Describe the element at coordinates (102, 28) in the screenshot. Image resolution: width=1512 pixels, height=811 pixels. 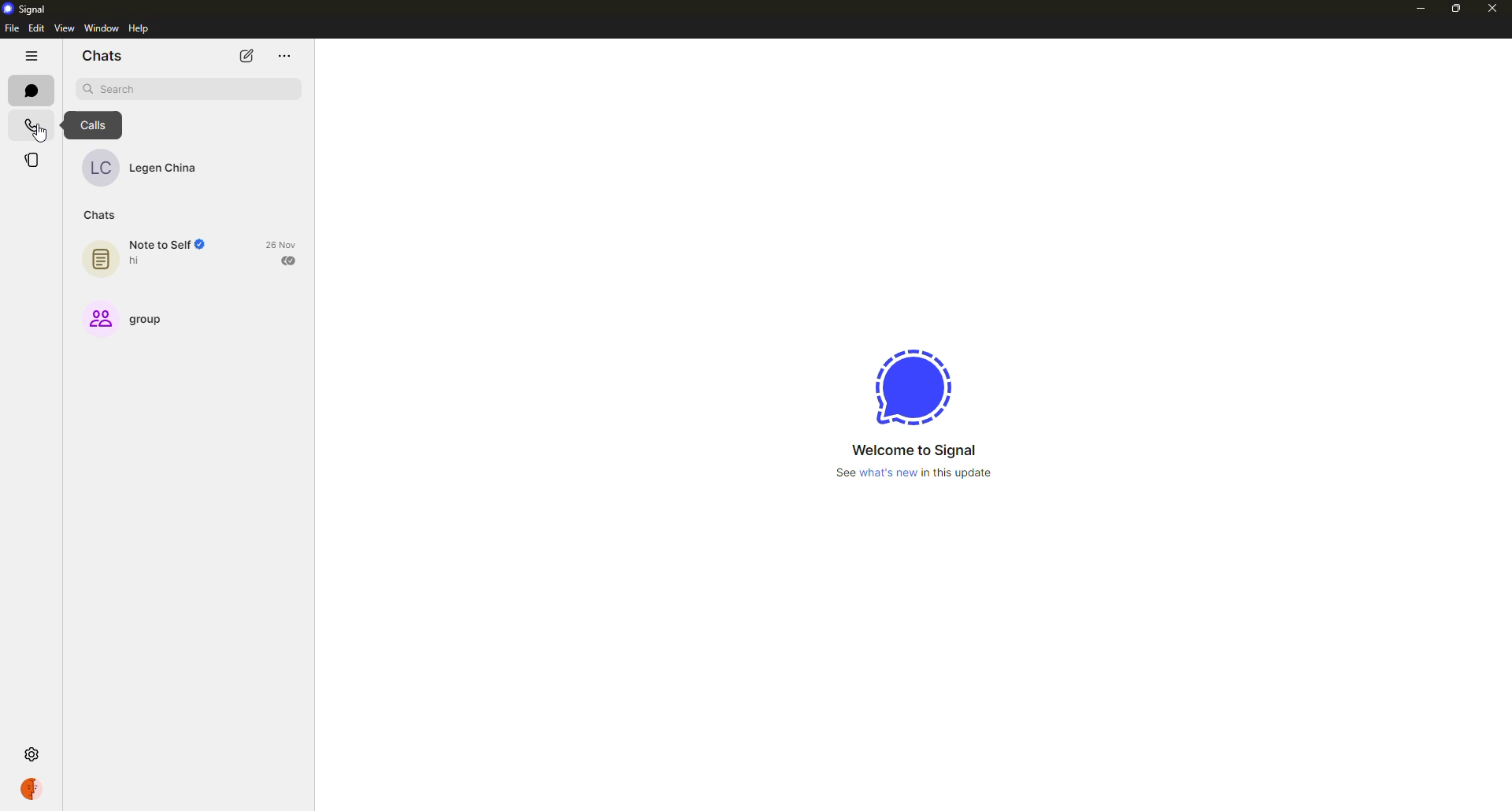
I see `window` at that location.